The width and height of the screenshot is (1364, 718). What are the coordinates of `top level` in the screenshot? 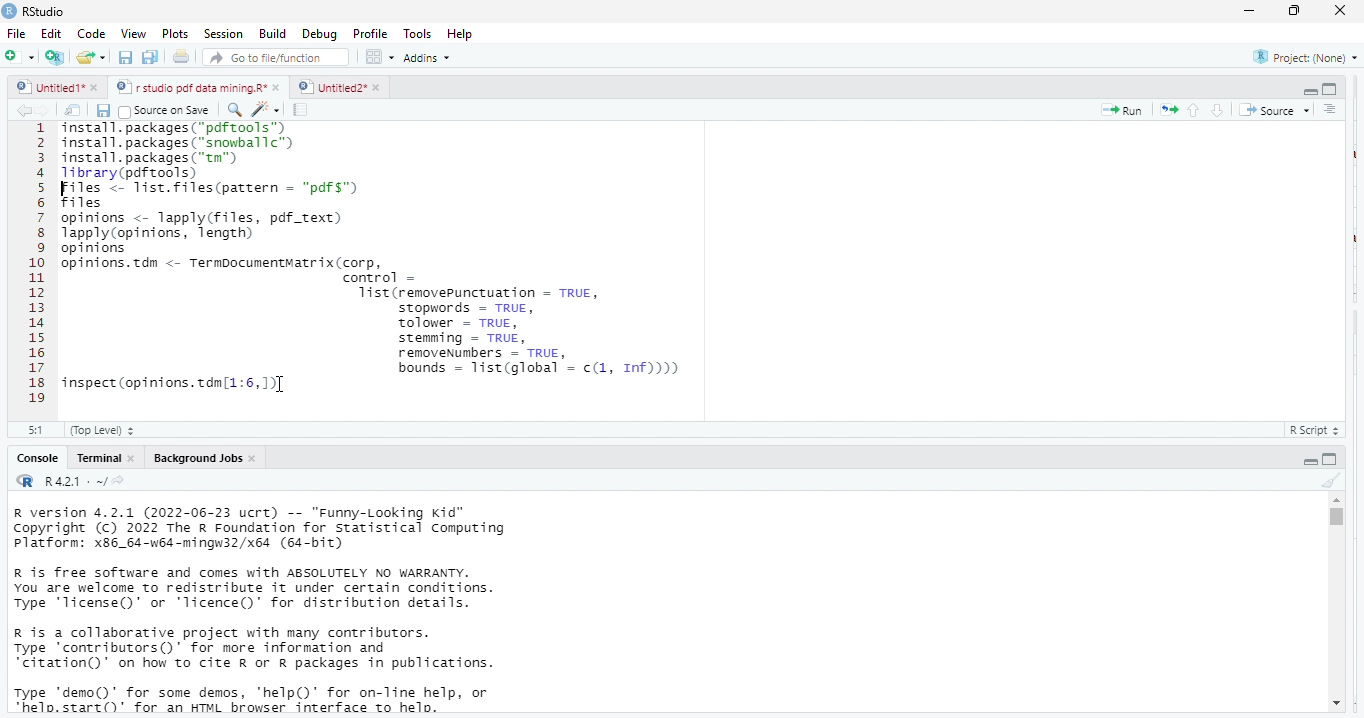 It's located at (108, 430).